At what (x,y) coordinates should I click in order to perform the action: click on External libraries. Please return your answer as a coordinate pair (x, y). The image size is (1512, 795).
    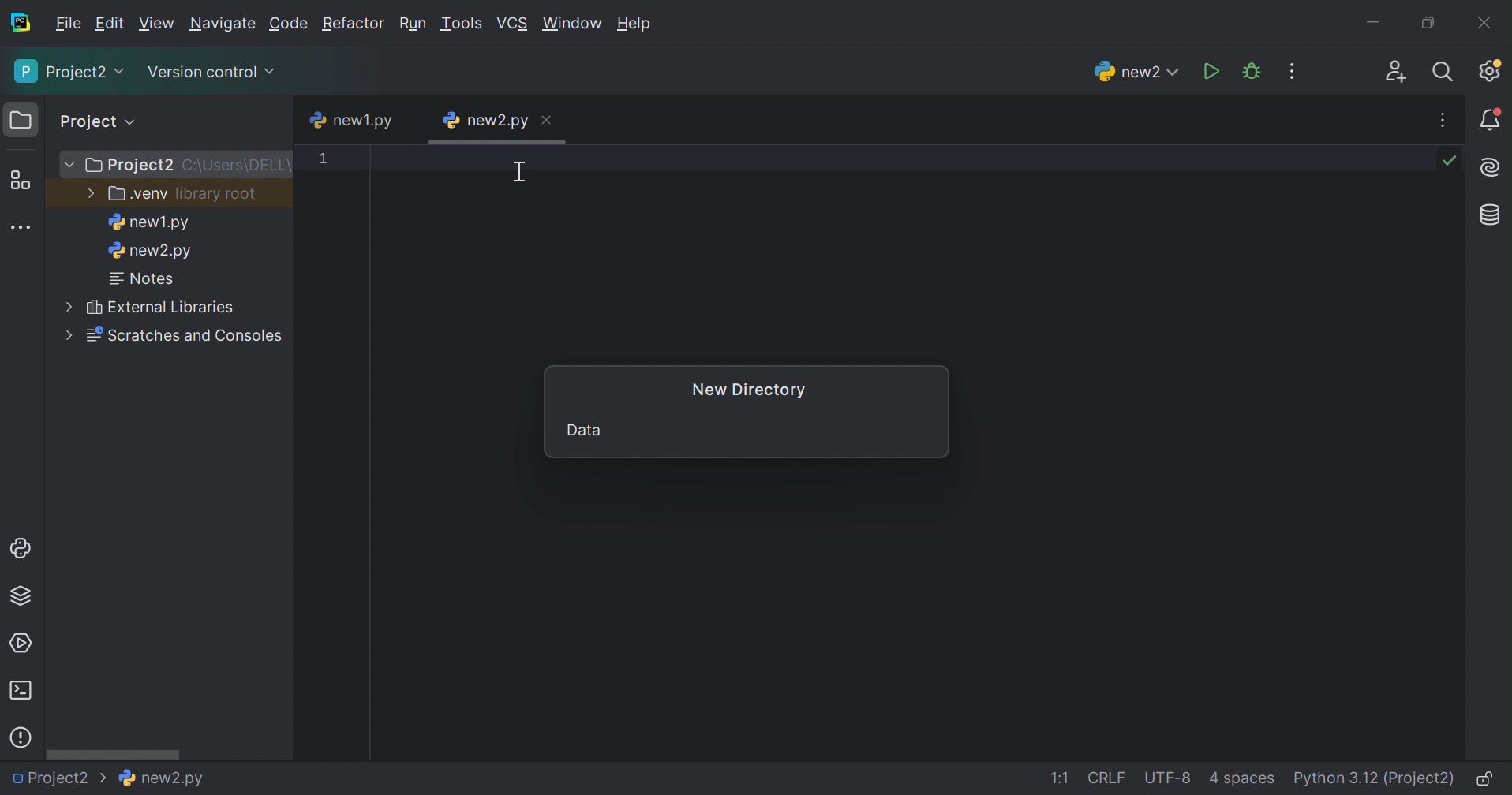
    Looking at the image, I should click on (160, 307).